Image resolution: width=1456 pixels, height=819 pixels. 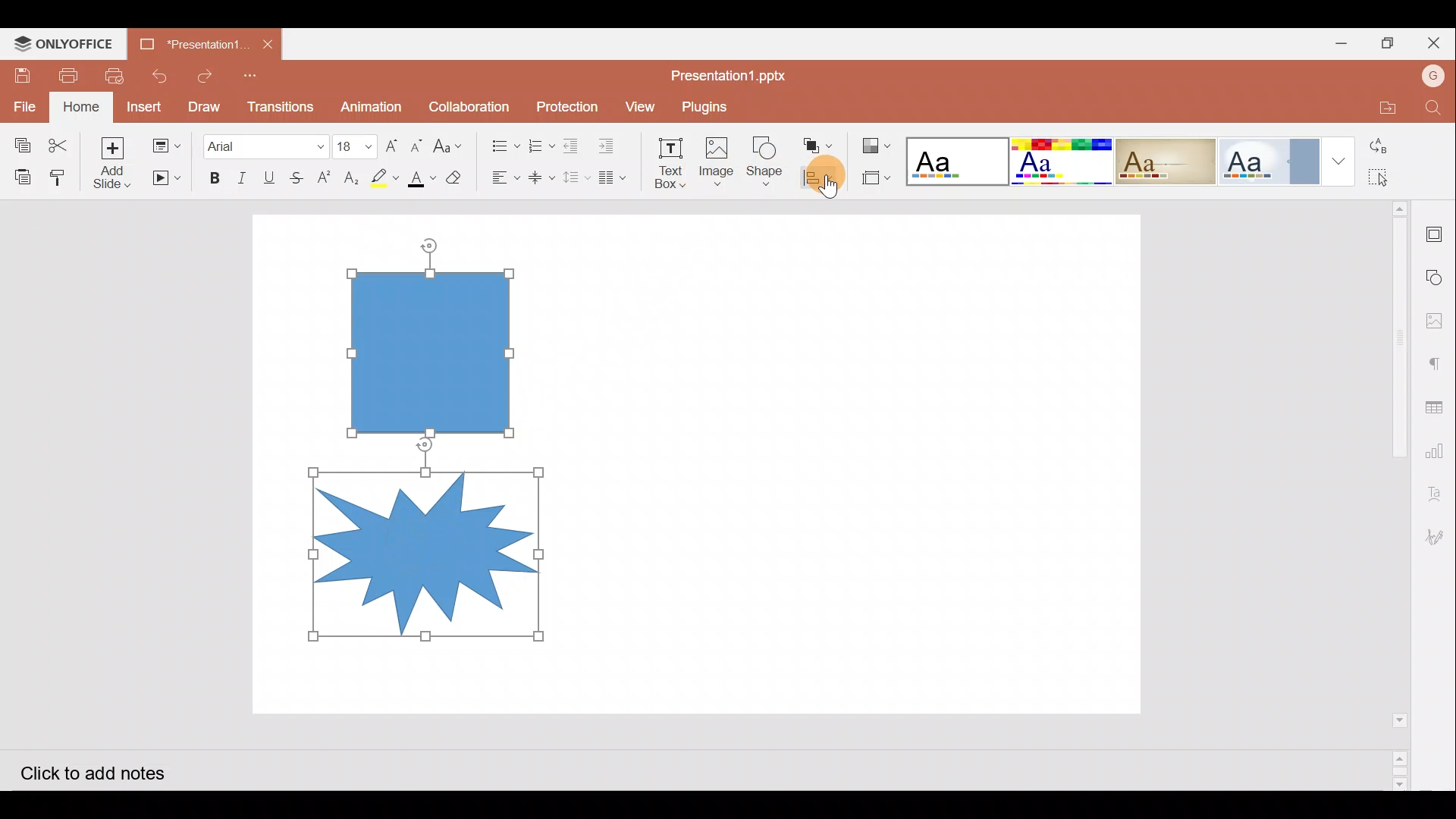 What do you see at coordinates (501, 177) in the screenshot?
I see `Horizontal align` at bounding box center [501, 177].